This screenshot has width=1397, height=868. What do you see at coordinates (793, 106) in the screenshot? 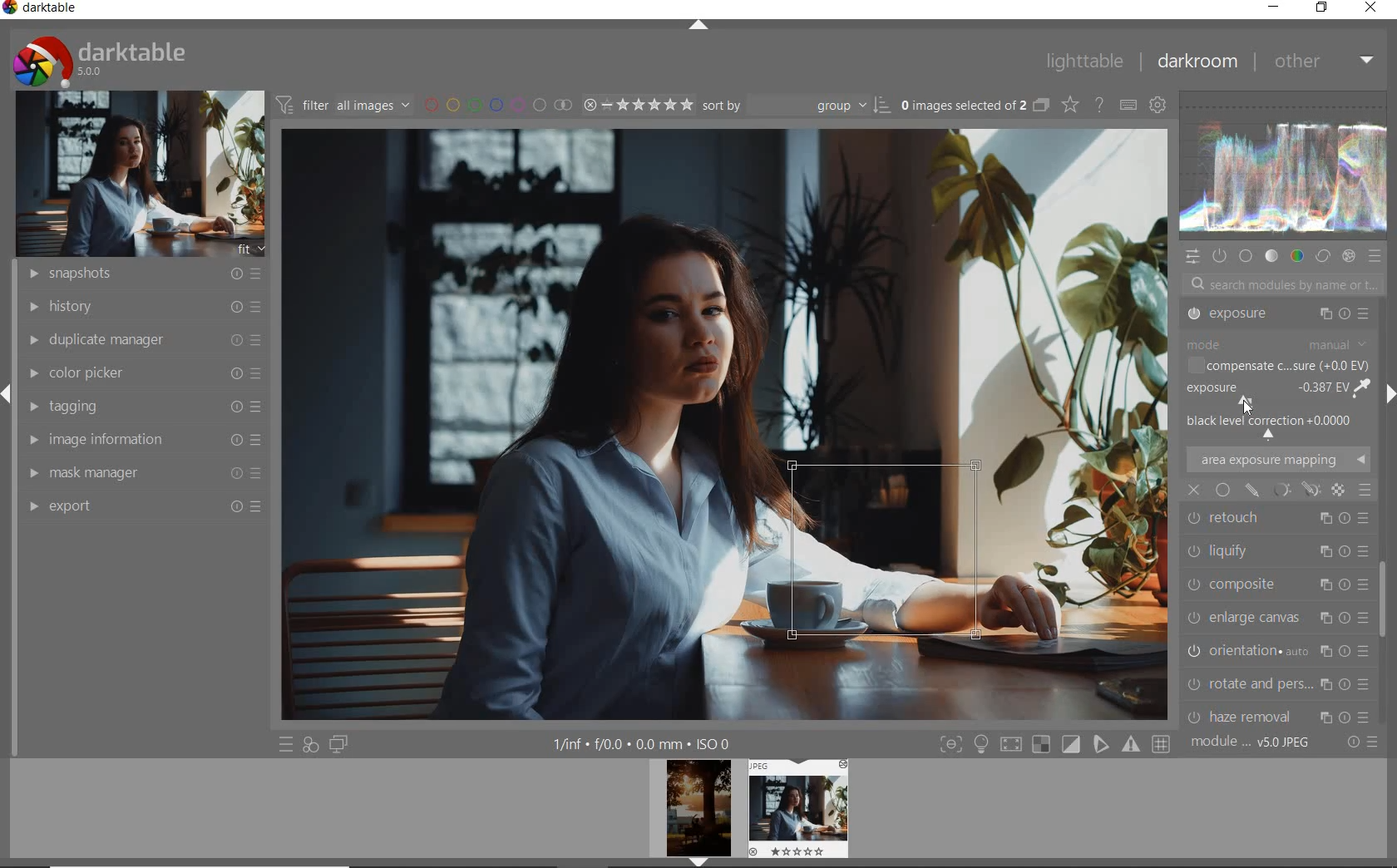
I see `SORT` at bounding box center [793, 106].